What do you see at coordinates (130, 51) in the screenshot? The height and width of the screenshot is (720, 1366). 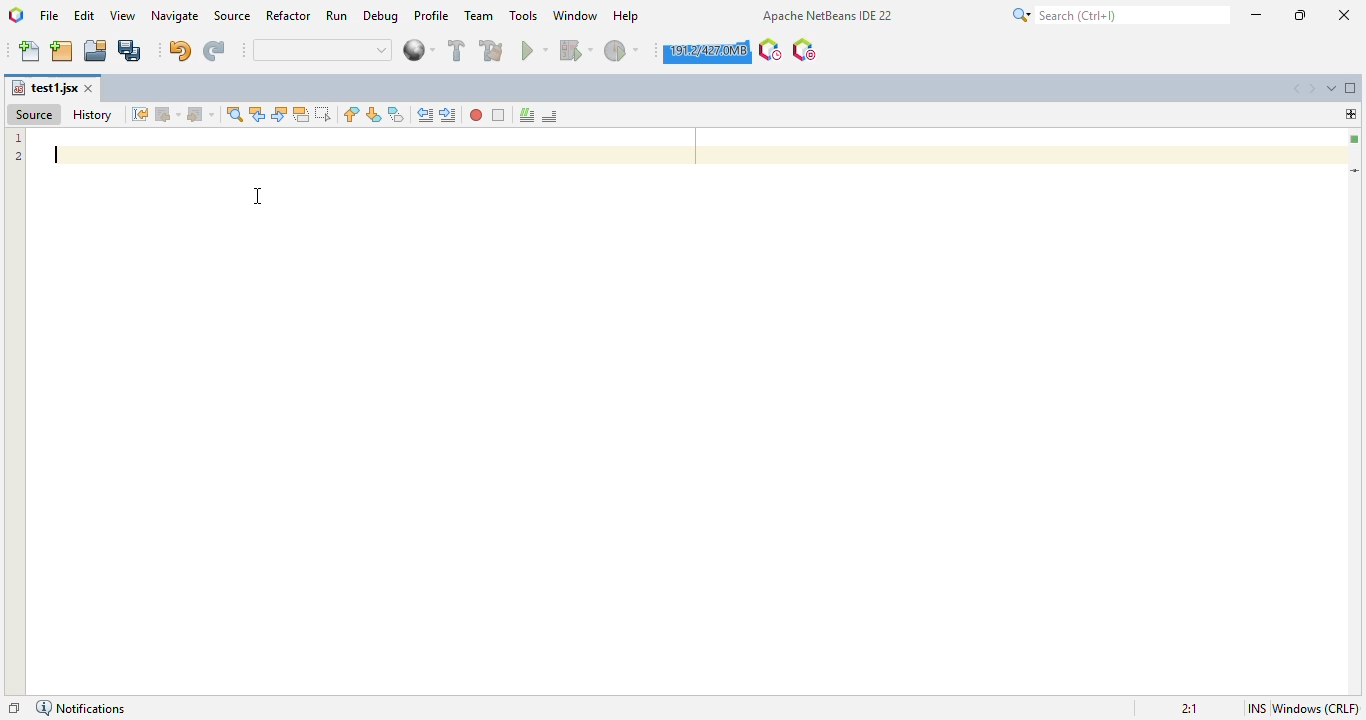 I see `save all` at bounding box center [130, 51].